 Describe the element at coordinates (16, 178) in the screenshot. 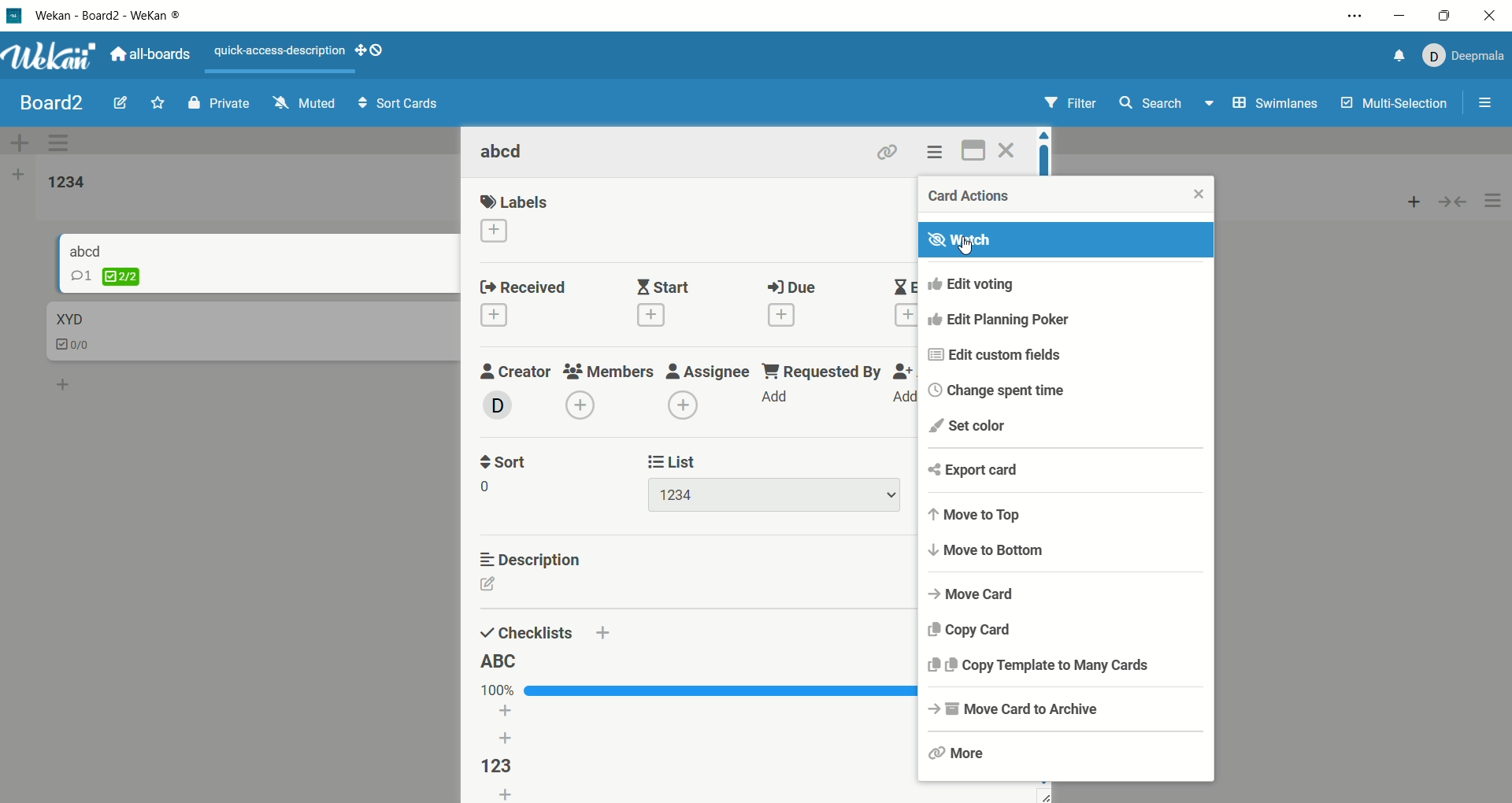

I see `add list` at that location.